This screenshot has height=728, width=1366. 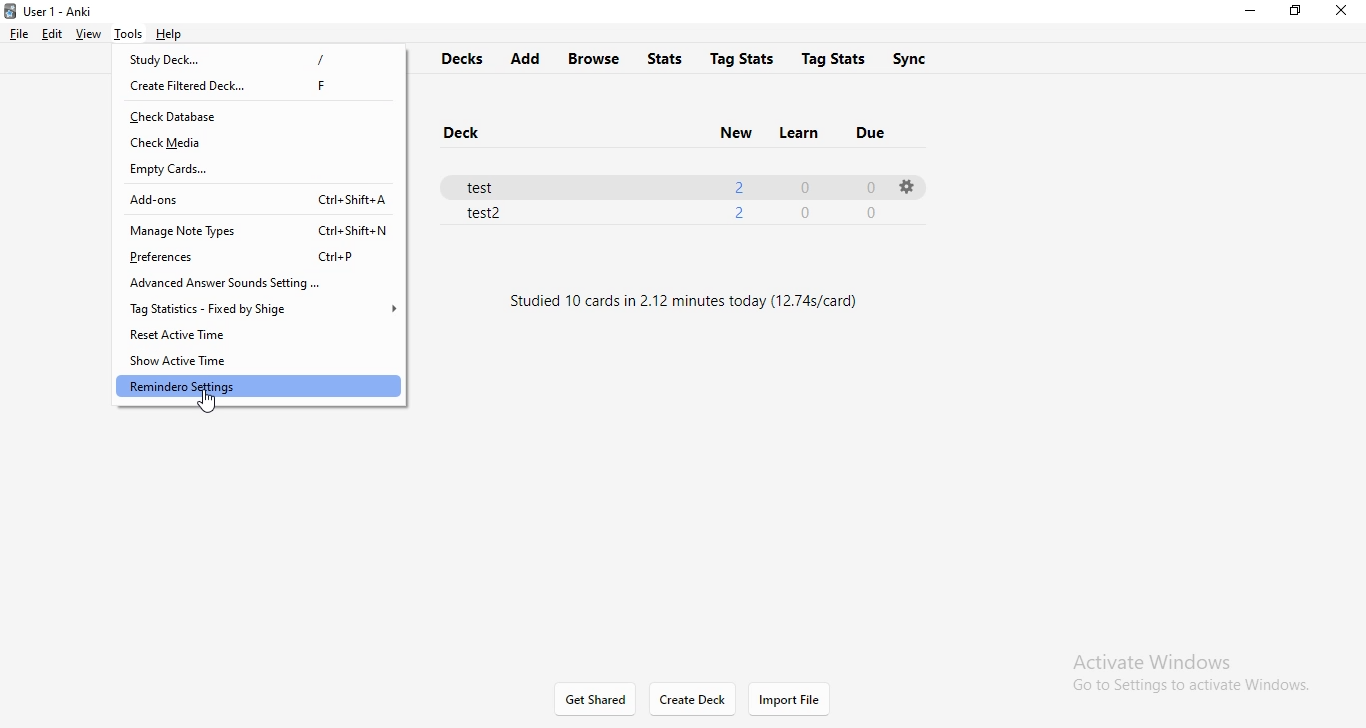 What do you see at coordinates (257, 119) in the screenshot?
I see `check database` at bounding box center [257, 119].